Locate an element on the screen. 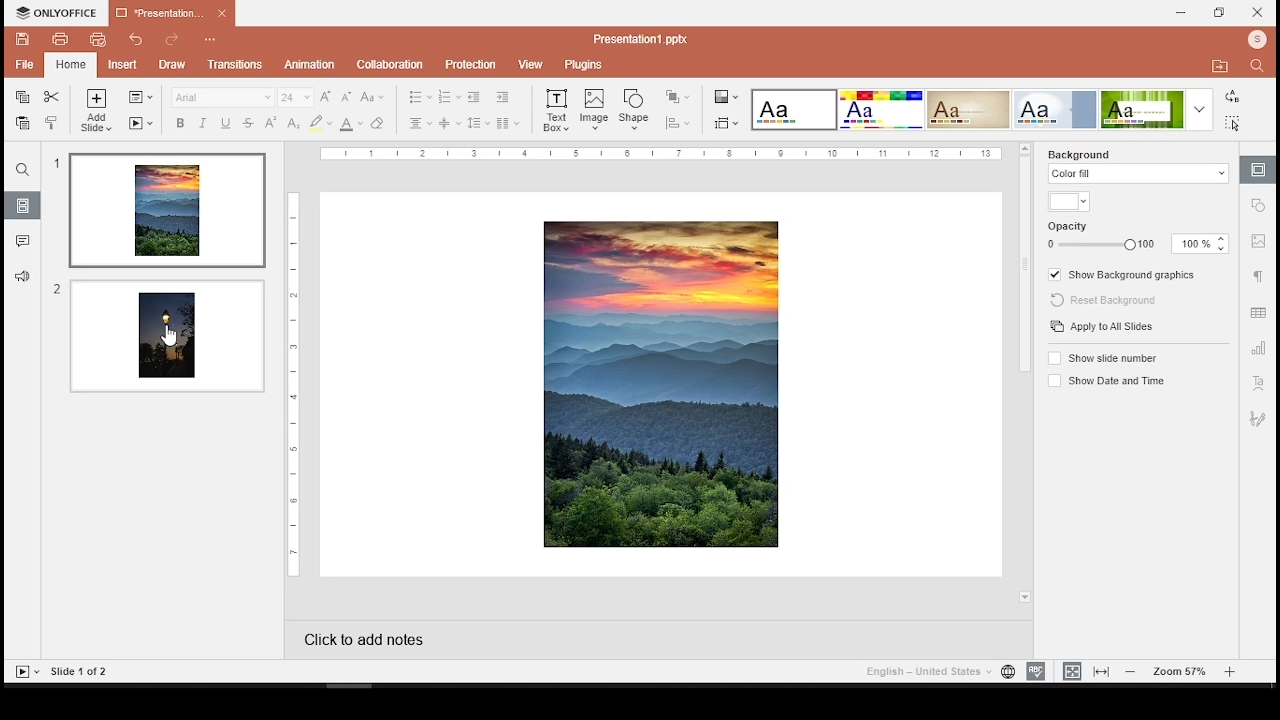  shape is located at coordinates (634, 109).